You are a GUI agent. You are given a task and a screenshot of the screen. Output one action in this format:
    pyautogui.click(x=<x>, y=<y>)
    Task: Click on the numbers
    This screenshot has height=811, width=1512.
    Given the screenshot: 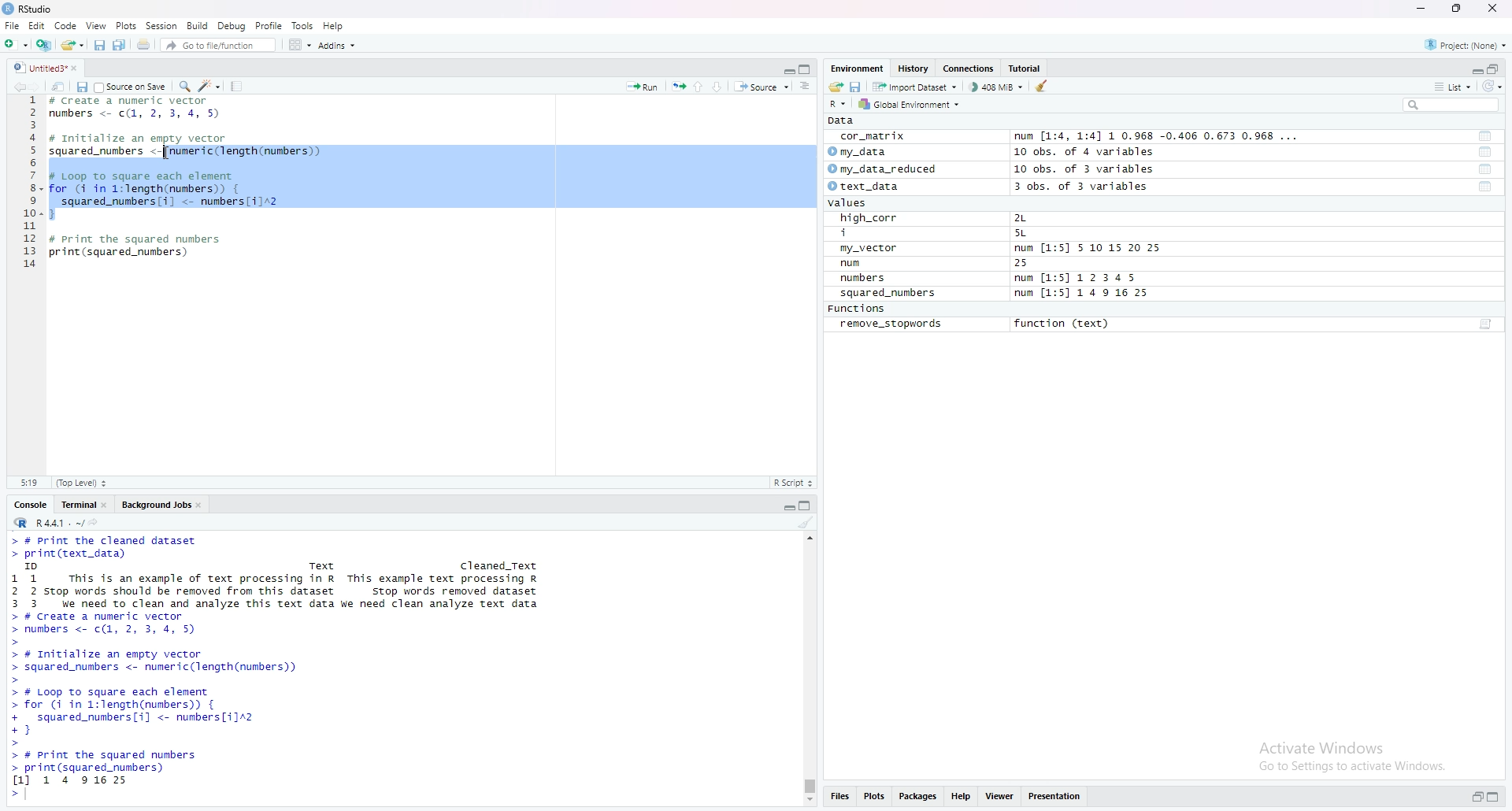 What is the action you would take?
    pyautogui.click(x=866, y=279)
    